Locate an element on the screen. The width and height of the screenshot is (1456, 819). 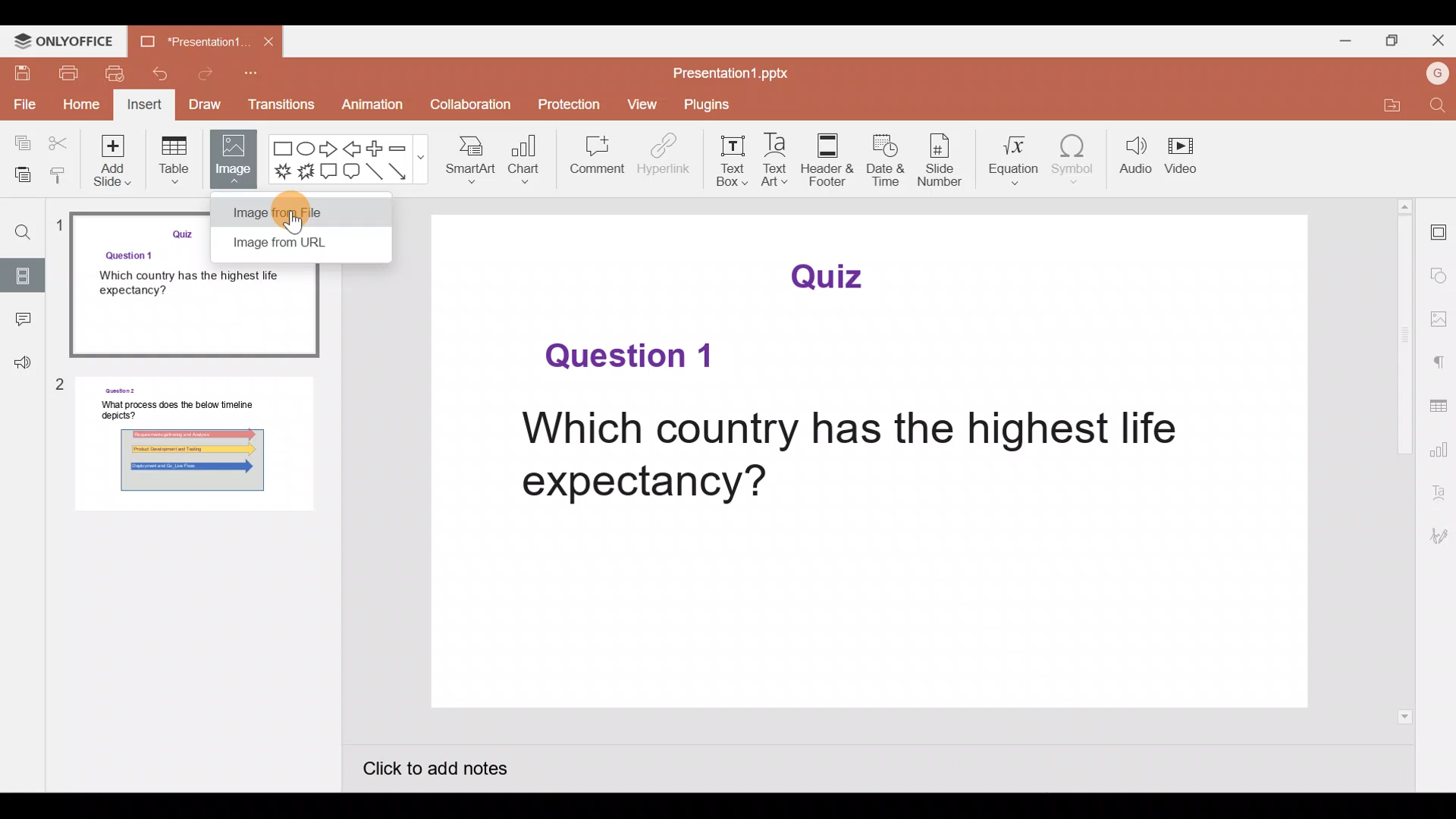
Protection is located at coordinates (569, 104).